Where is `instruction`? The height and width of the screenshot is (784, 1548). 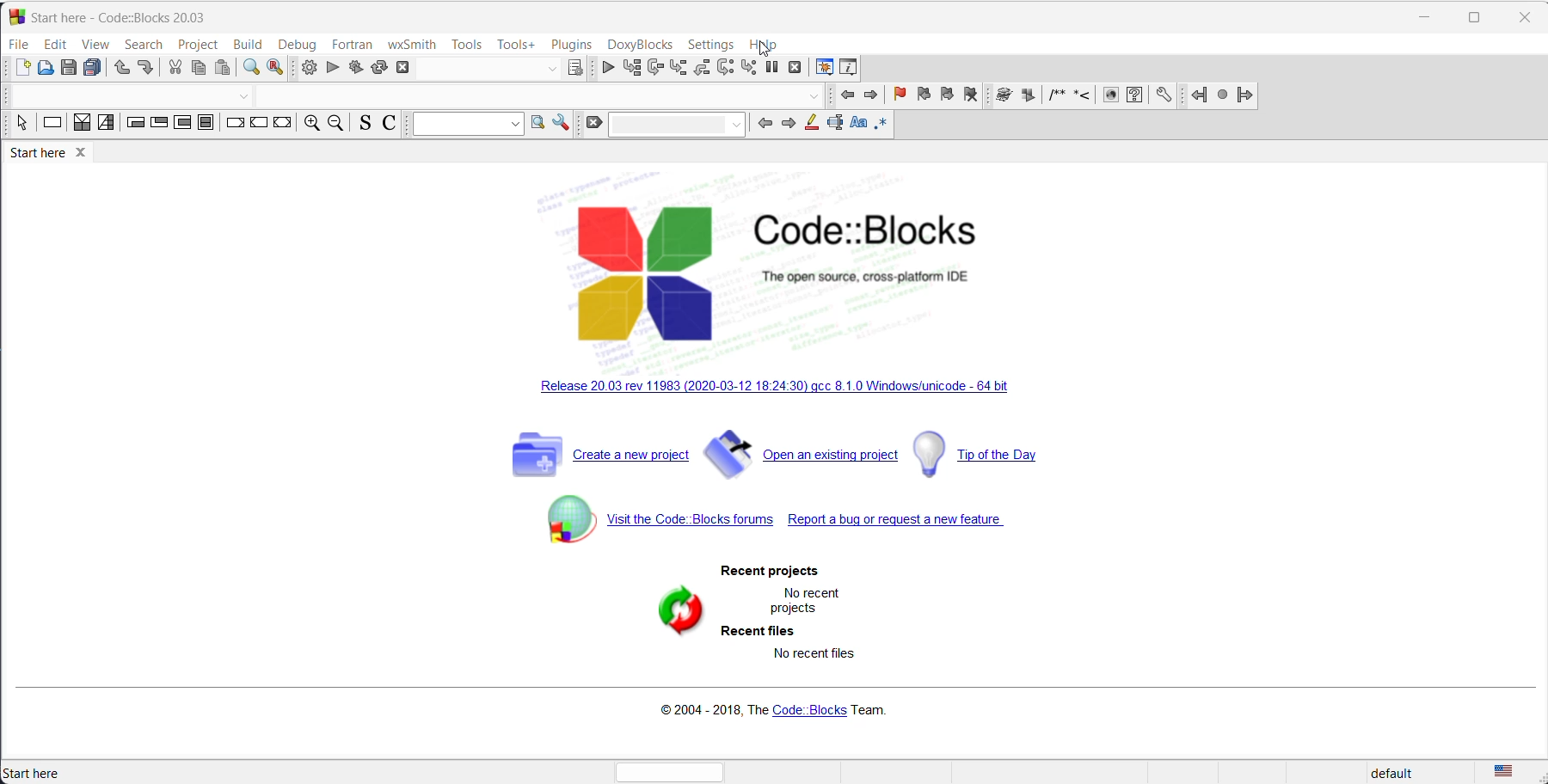
instruction is located at coordinates (52, 125).